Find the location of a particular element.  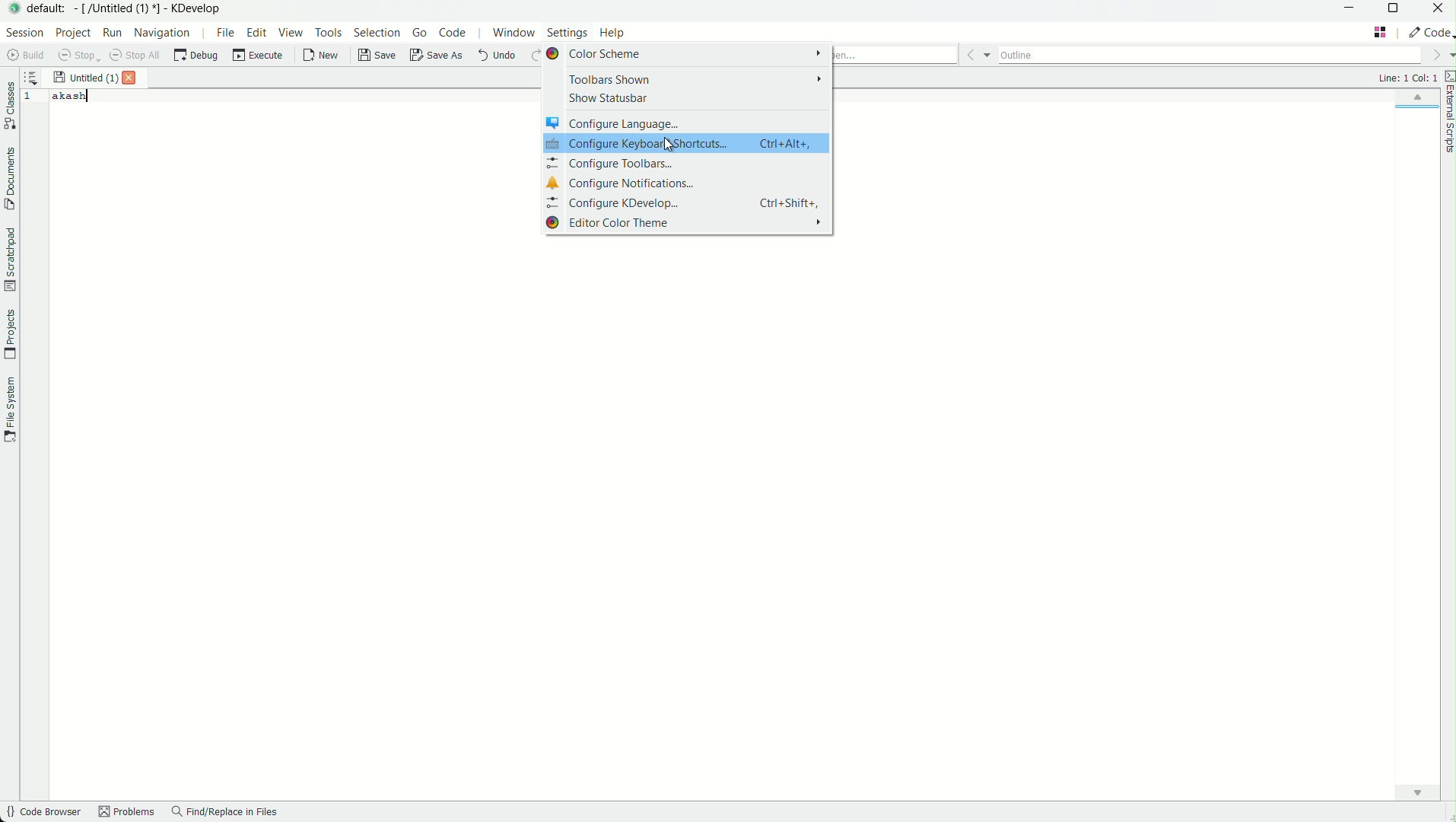

change layout is located at coordinates (1380, 32).